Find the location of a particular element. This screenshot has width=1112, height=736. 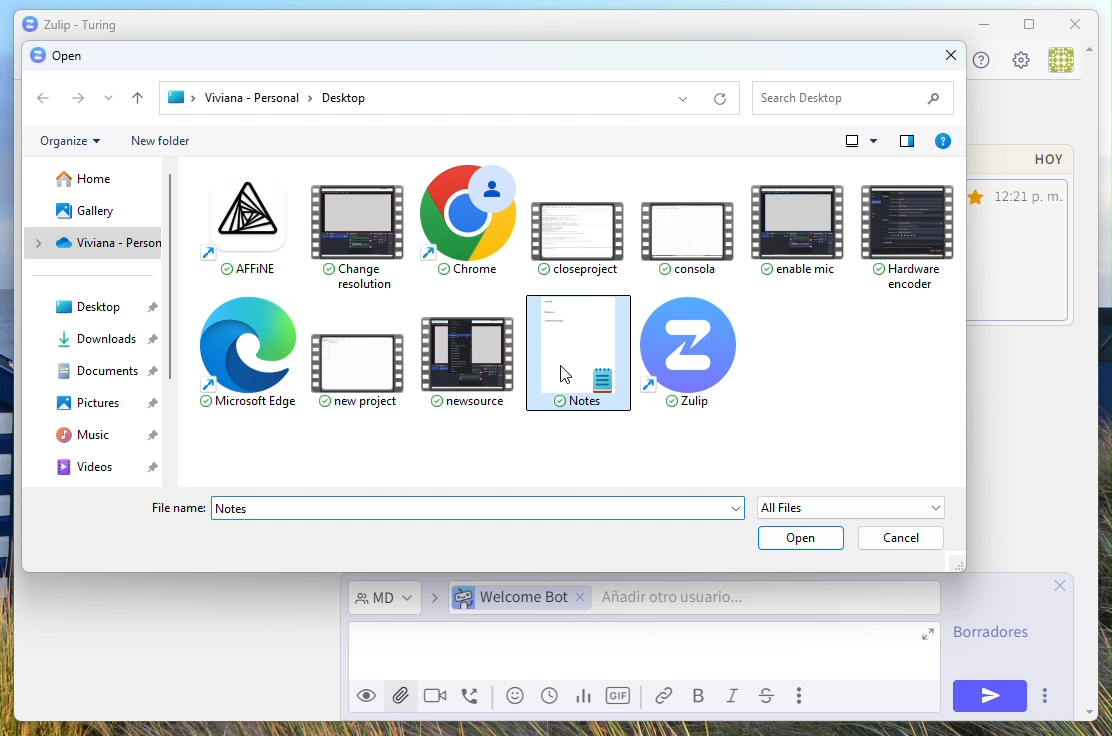

view is located at coordinates (365, 699).